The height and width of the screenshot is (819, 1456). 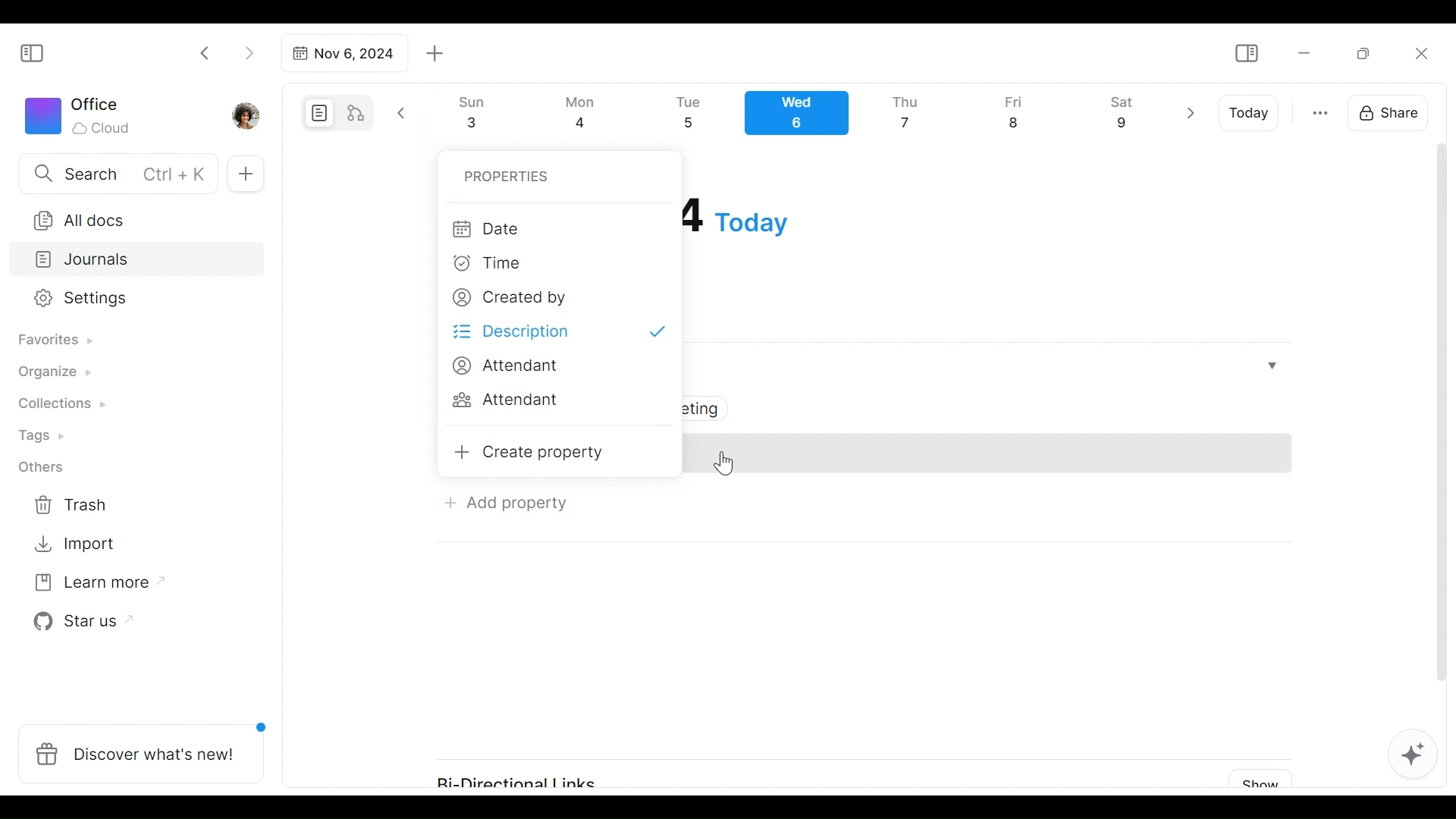 I want to click on Created by, so click(x=516, y=295).